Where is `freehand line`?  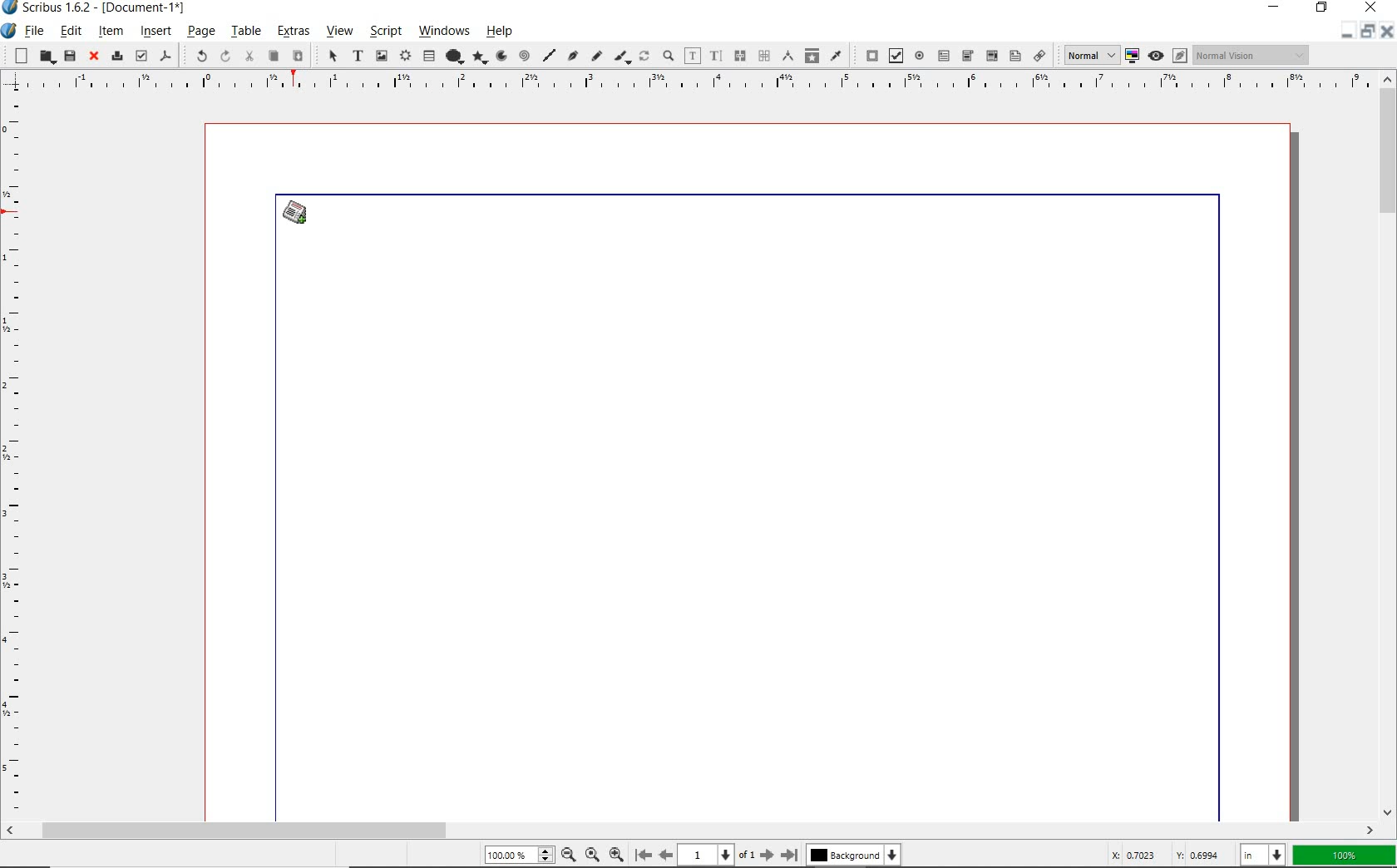
freehand line is located at coordinates (595, 55).